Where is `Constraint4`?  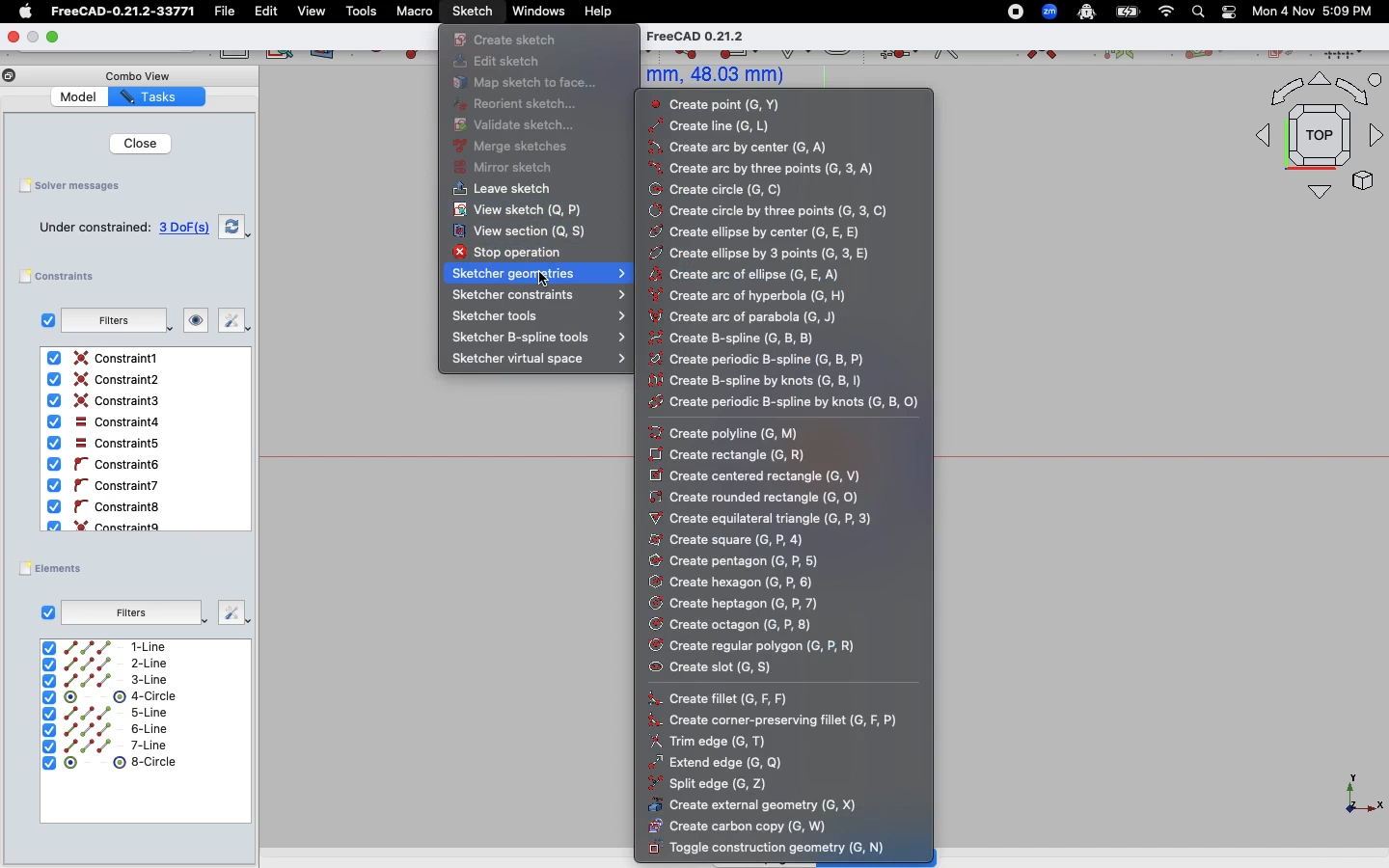 Constraint4 is located at coordinates (101, 422).